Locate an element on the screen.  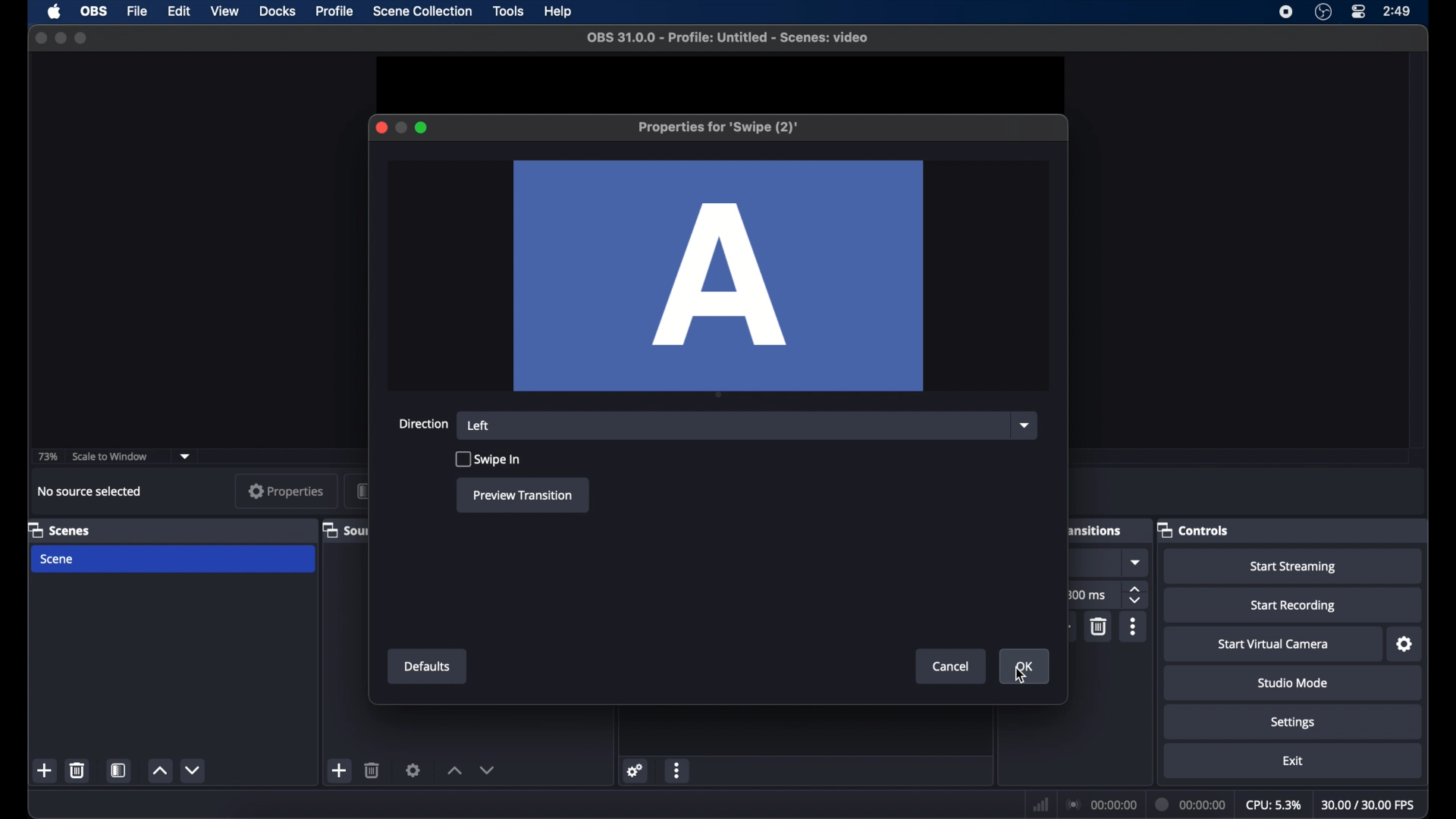
delete is located at coordinates (1100, 626).